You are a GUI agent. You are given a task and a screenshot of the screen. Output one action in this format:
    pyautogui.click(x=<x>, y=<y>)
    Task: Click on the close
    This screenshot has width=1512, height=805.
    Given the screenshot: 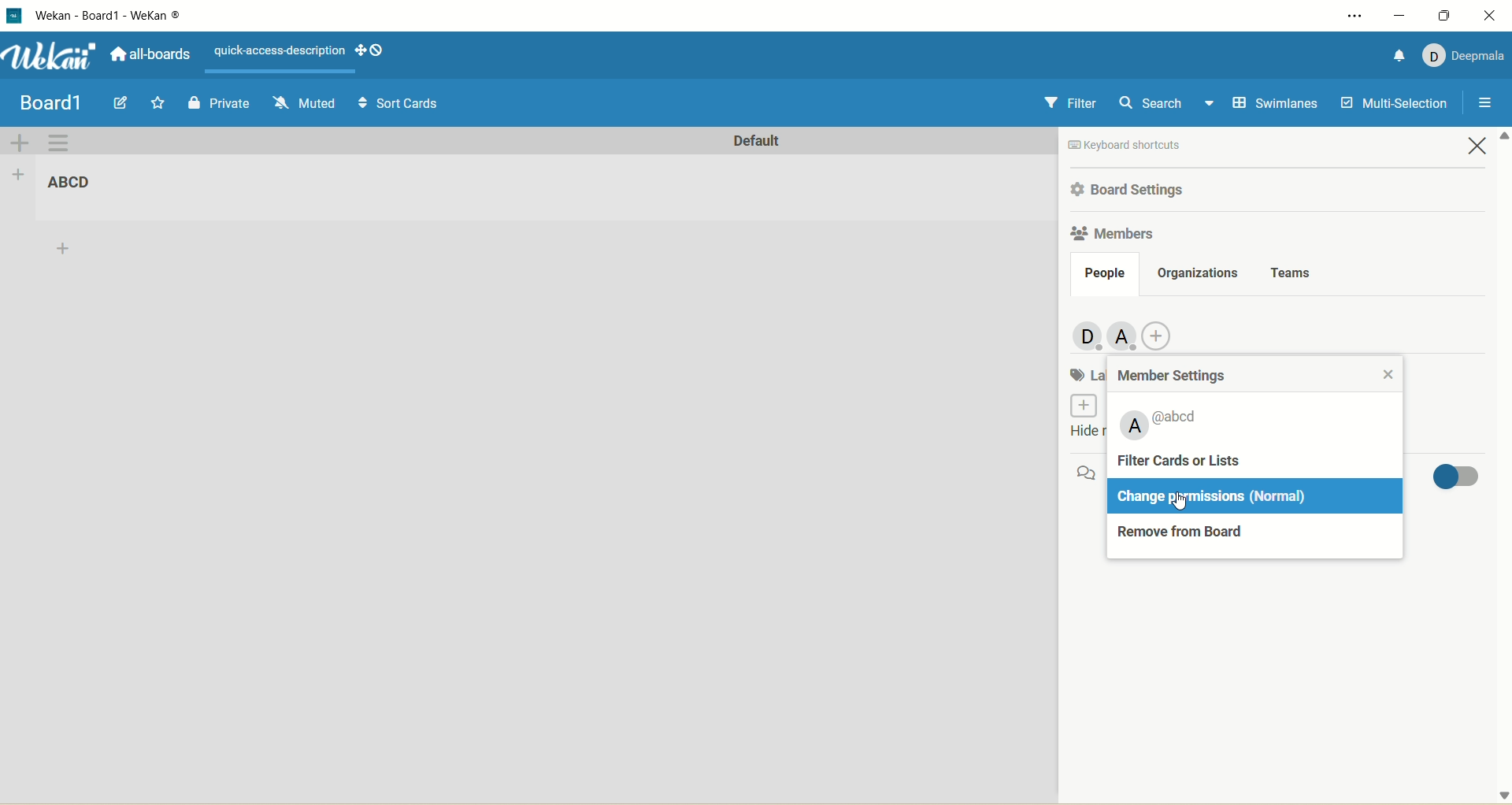 What is the action you would take?
    pyautogui.click(x=1480, y=148)
    